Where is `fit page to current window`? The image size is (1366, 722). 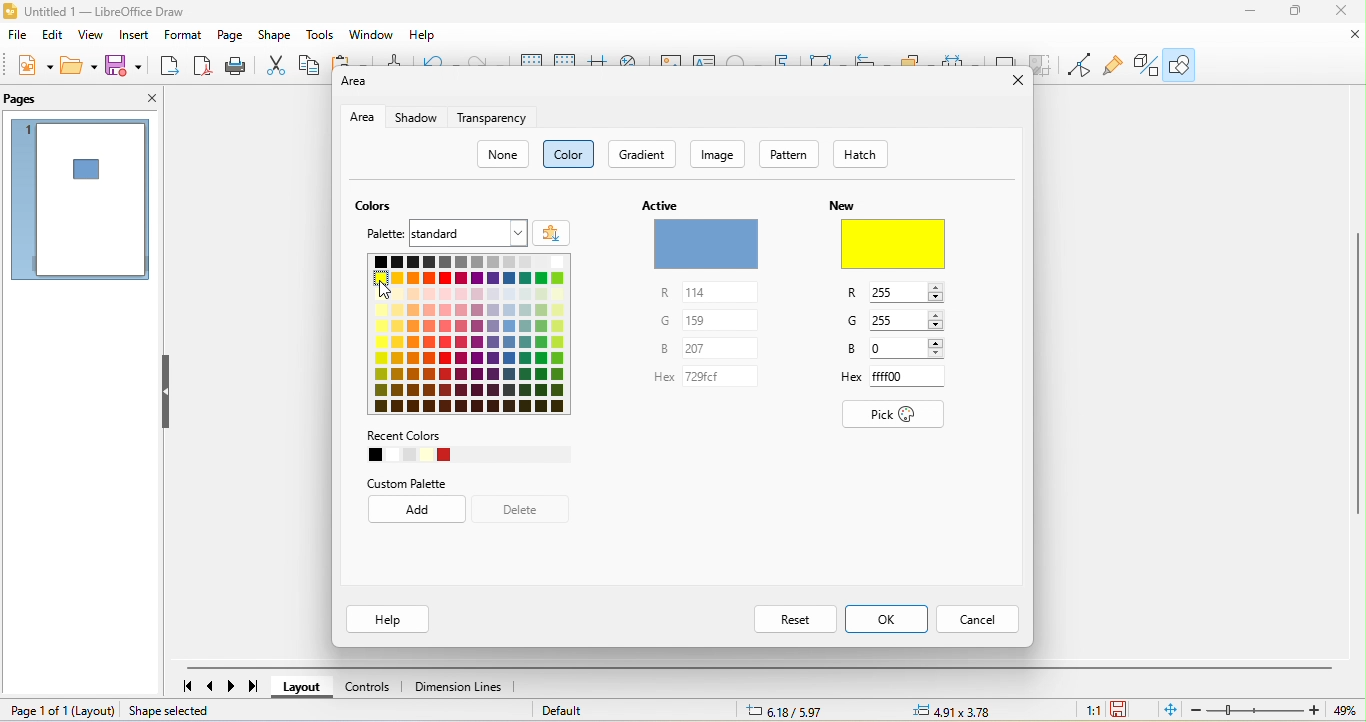
fit page to current window is located at coordinates (1167, 711).